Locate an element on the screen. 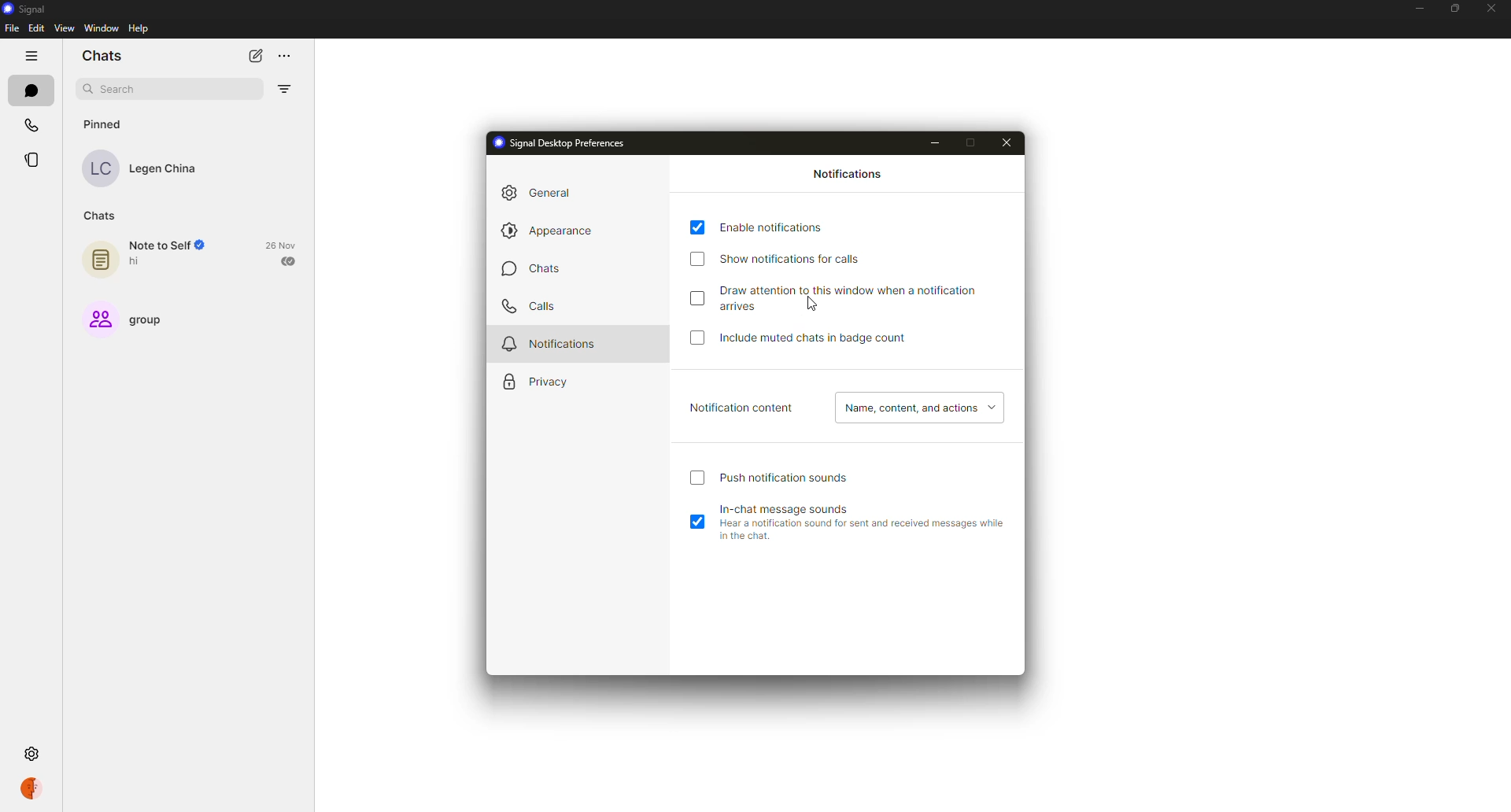 The image size is (1511, 812). group is located at coordinates (130, 318).